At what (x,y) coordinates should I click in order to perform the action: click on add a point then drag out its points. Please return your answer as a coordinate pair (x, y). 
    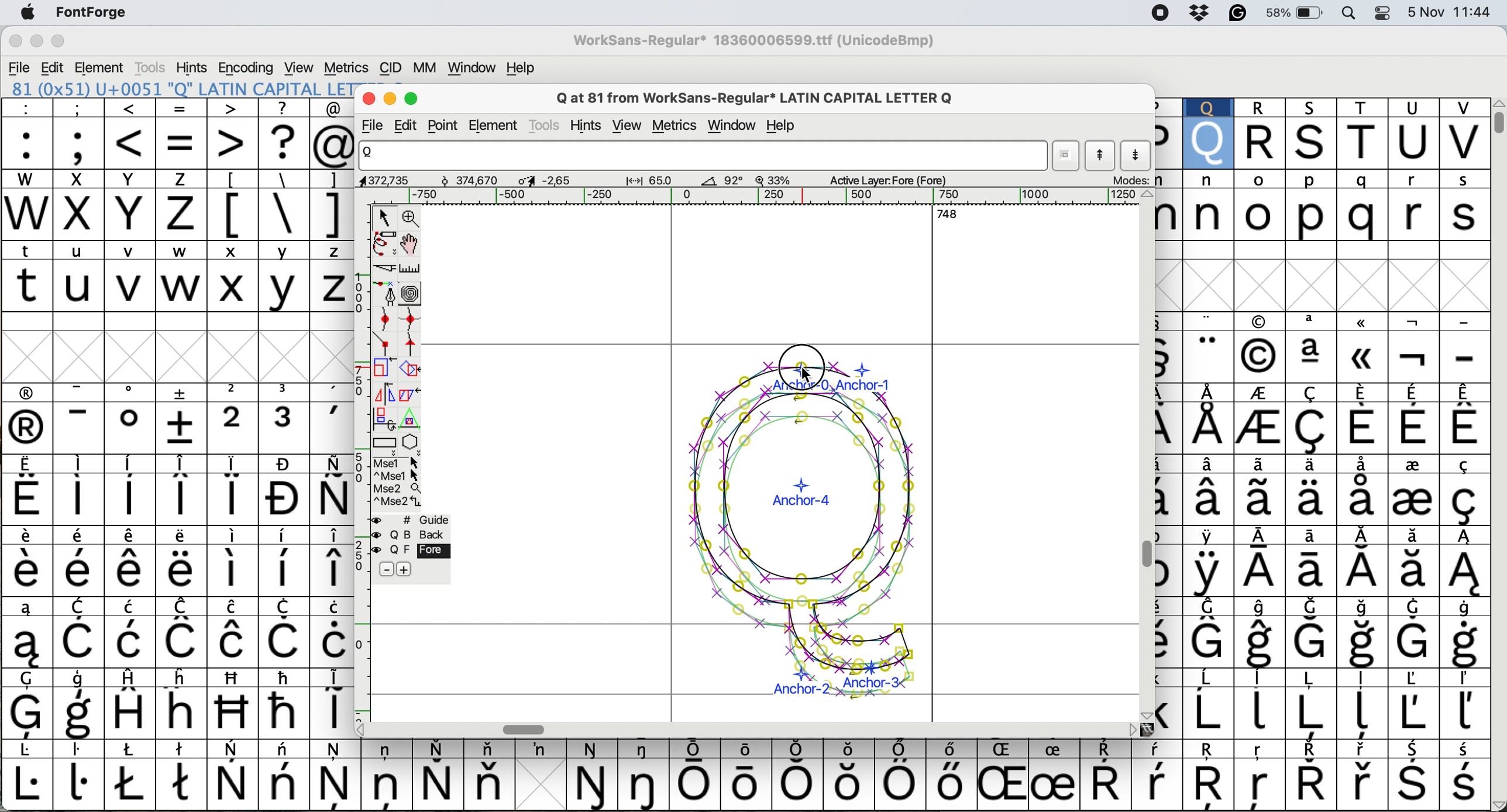
    Looking at the image, I should click on (384, 295).